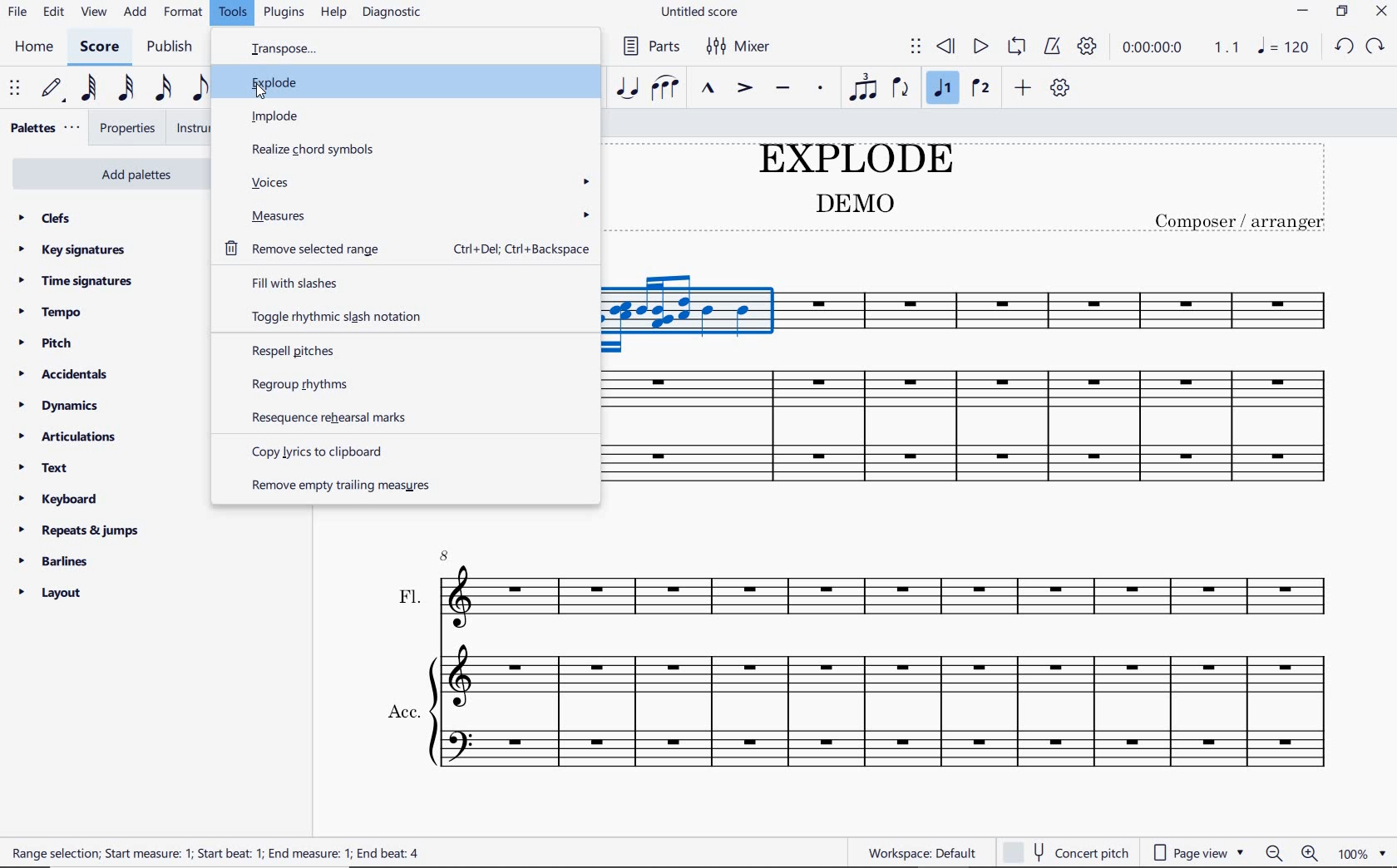 The height and width of the screenshot is (868, 1397). Describe the element at coordinates (949, 47) in the screenshot. I see `rewind` at that location.